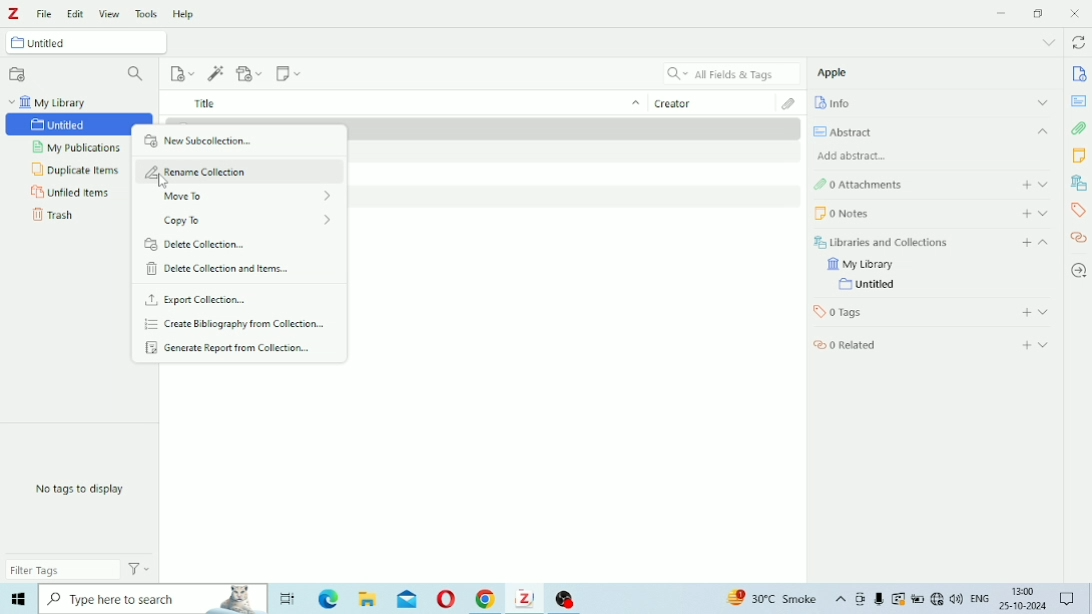  What do you see at coordinates (70, 192) in the screenshot?
I see `Unfiled Items` at bounding box center [70, 192].